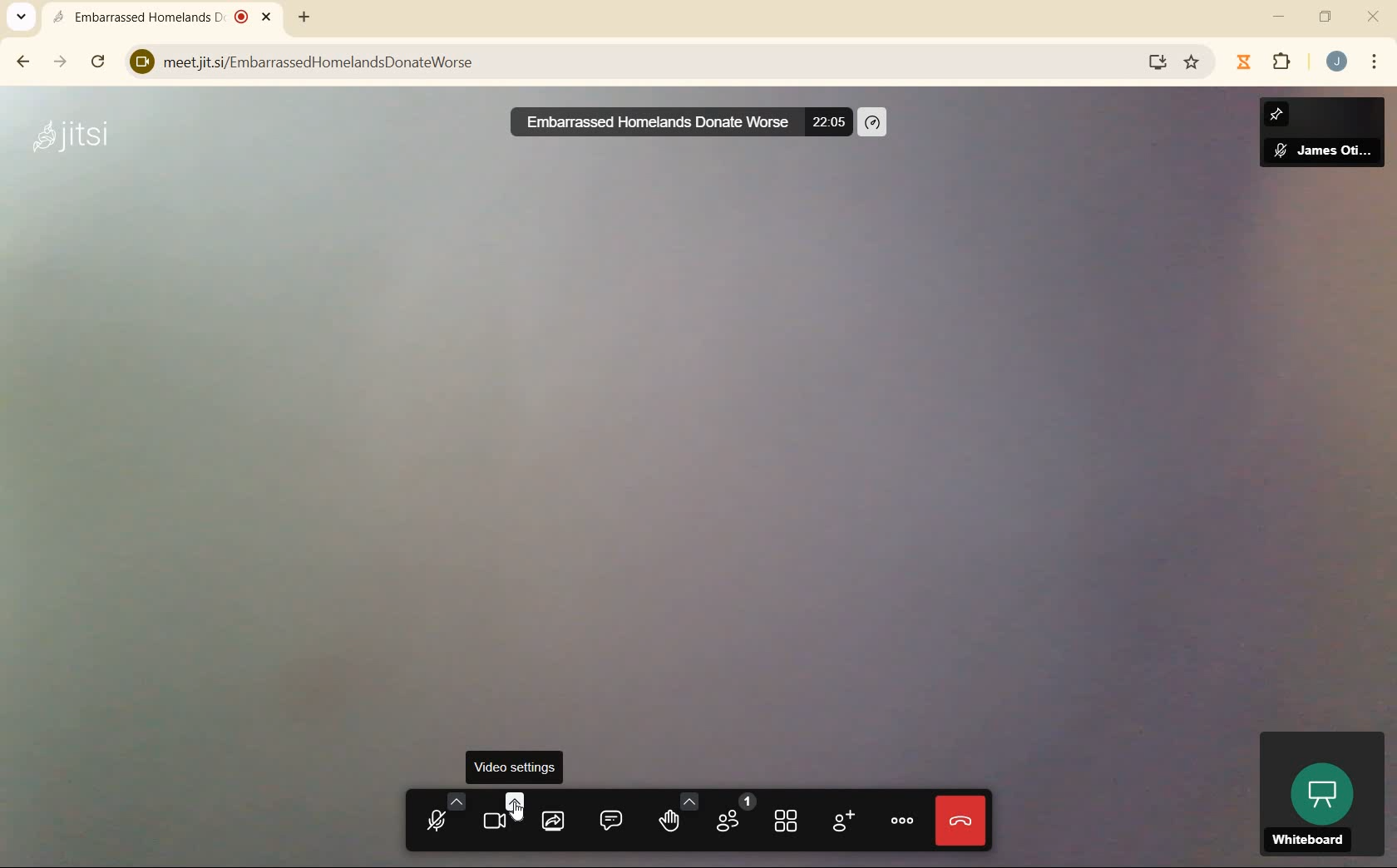 The width and height of the screenshot is (1397, 868). I want to click on minimize, so click(1281, 16).